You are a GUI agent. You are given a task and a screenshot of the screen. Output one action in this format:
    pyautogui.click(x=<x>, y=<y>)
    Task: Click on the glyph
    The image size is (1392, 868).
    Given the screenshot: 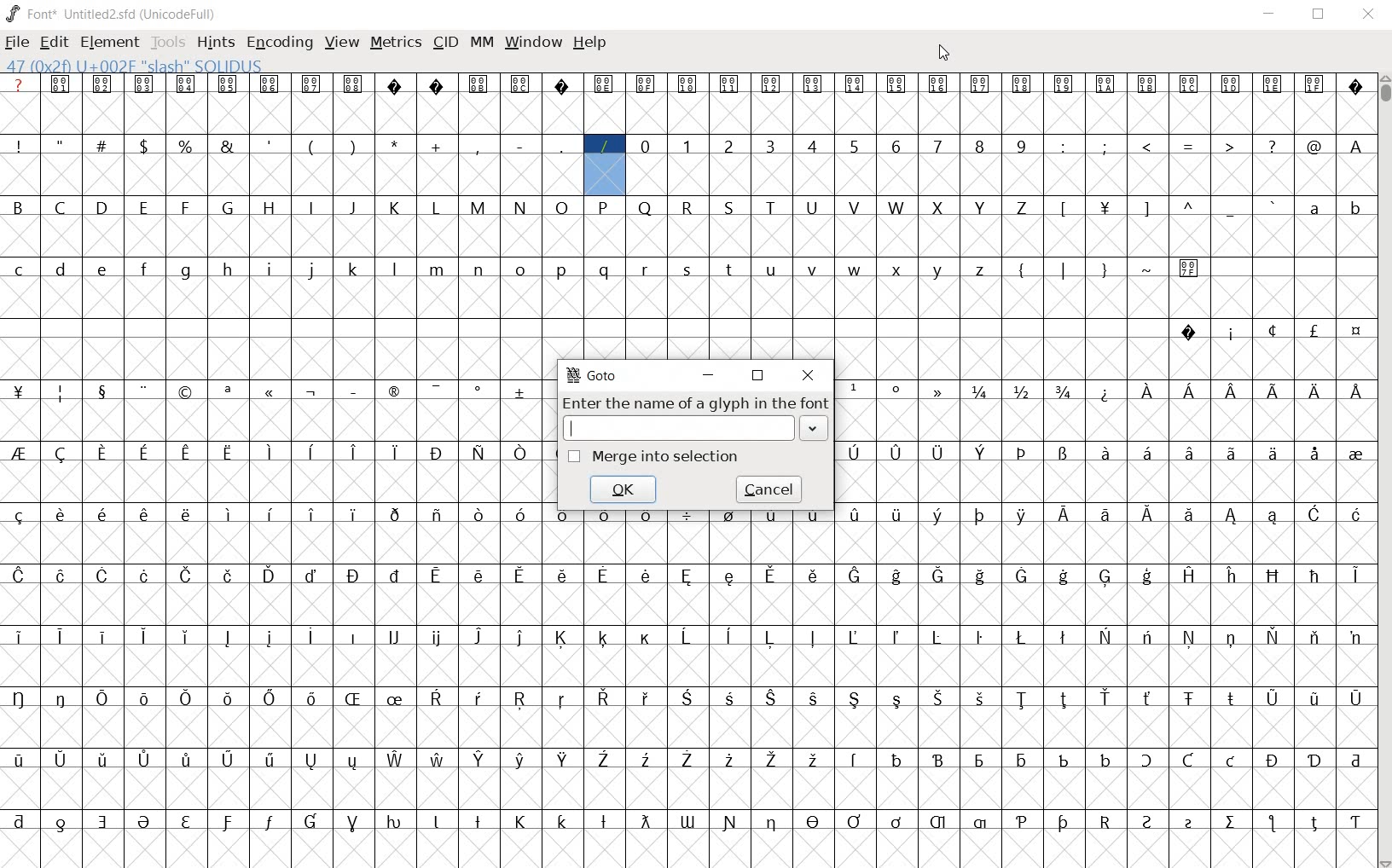 What is the action you would take?
    pyautogui.click(x=227, y=392)
    